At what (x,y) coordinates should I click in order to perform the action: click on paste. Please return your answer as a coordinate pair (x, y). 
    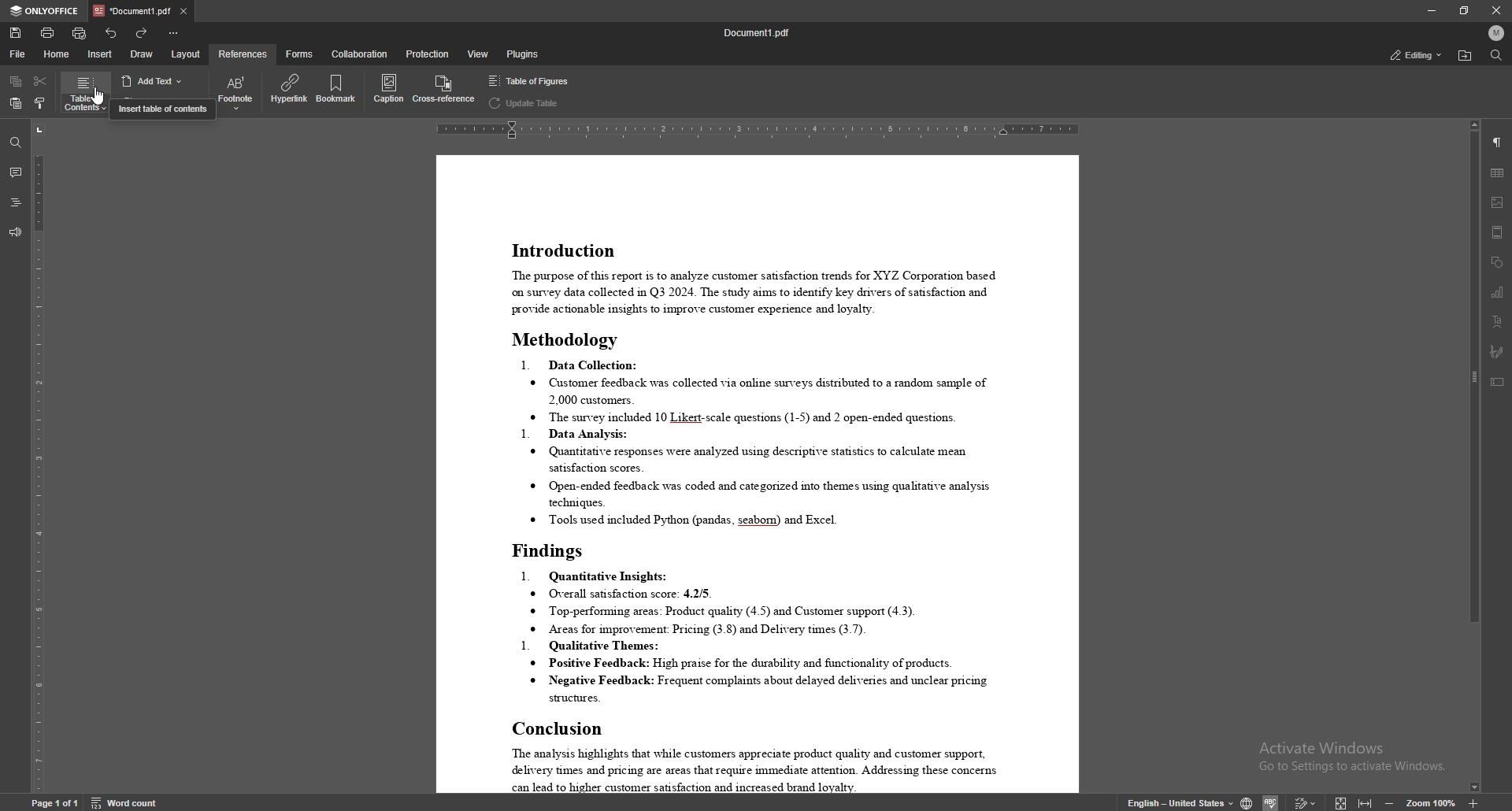
    Looking at the image, I should click on (16, 103).